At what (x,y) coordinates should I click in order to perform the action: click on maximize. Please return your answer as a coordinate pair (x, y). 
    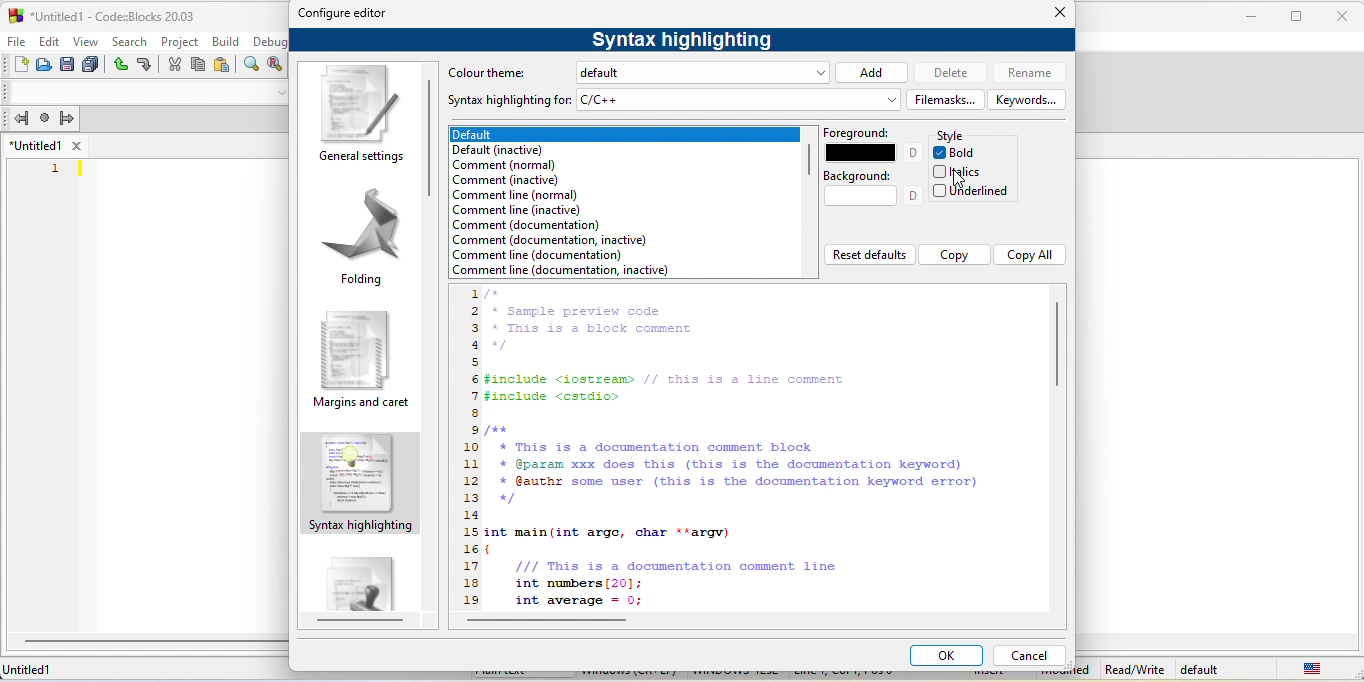
    Looking at the image, I should click on (1297, 17).